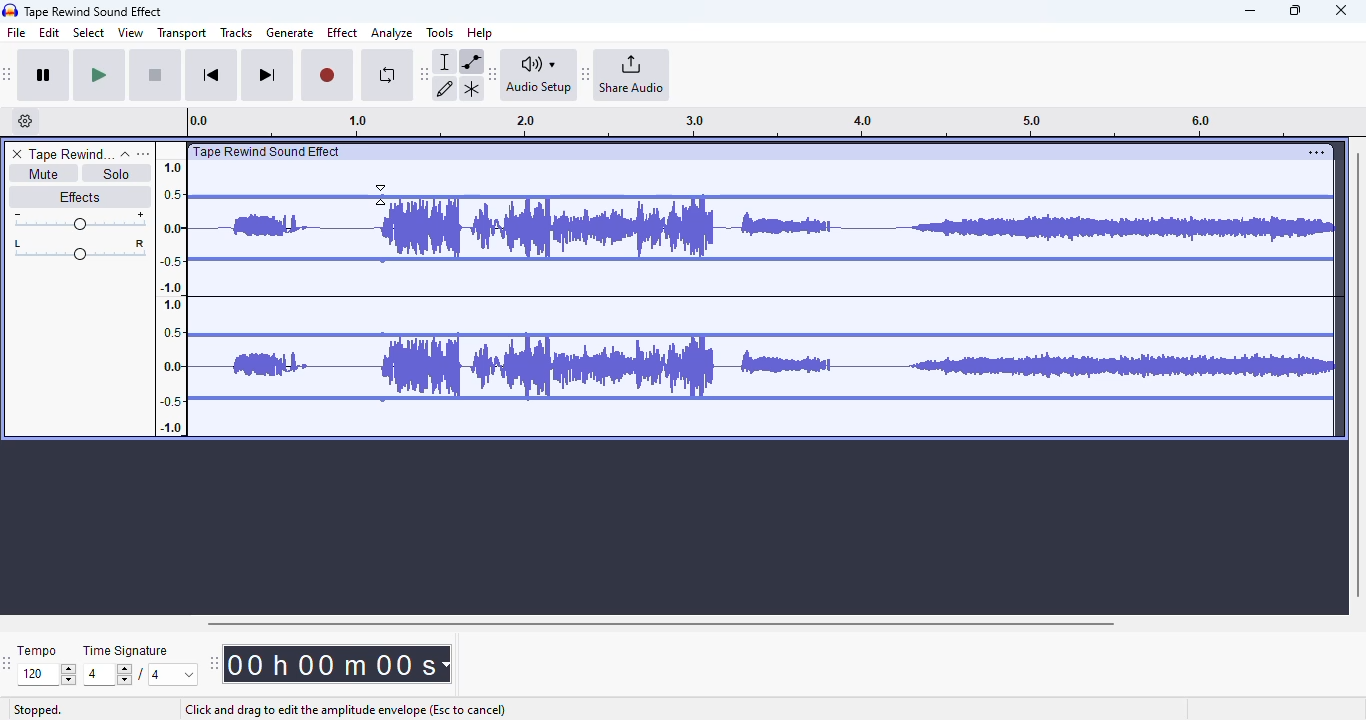 The height and width of the screenshot is (720, 1366). Describe the element at coordinates (1316, 152) in the screenshot. I see `settings` at that location.